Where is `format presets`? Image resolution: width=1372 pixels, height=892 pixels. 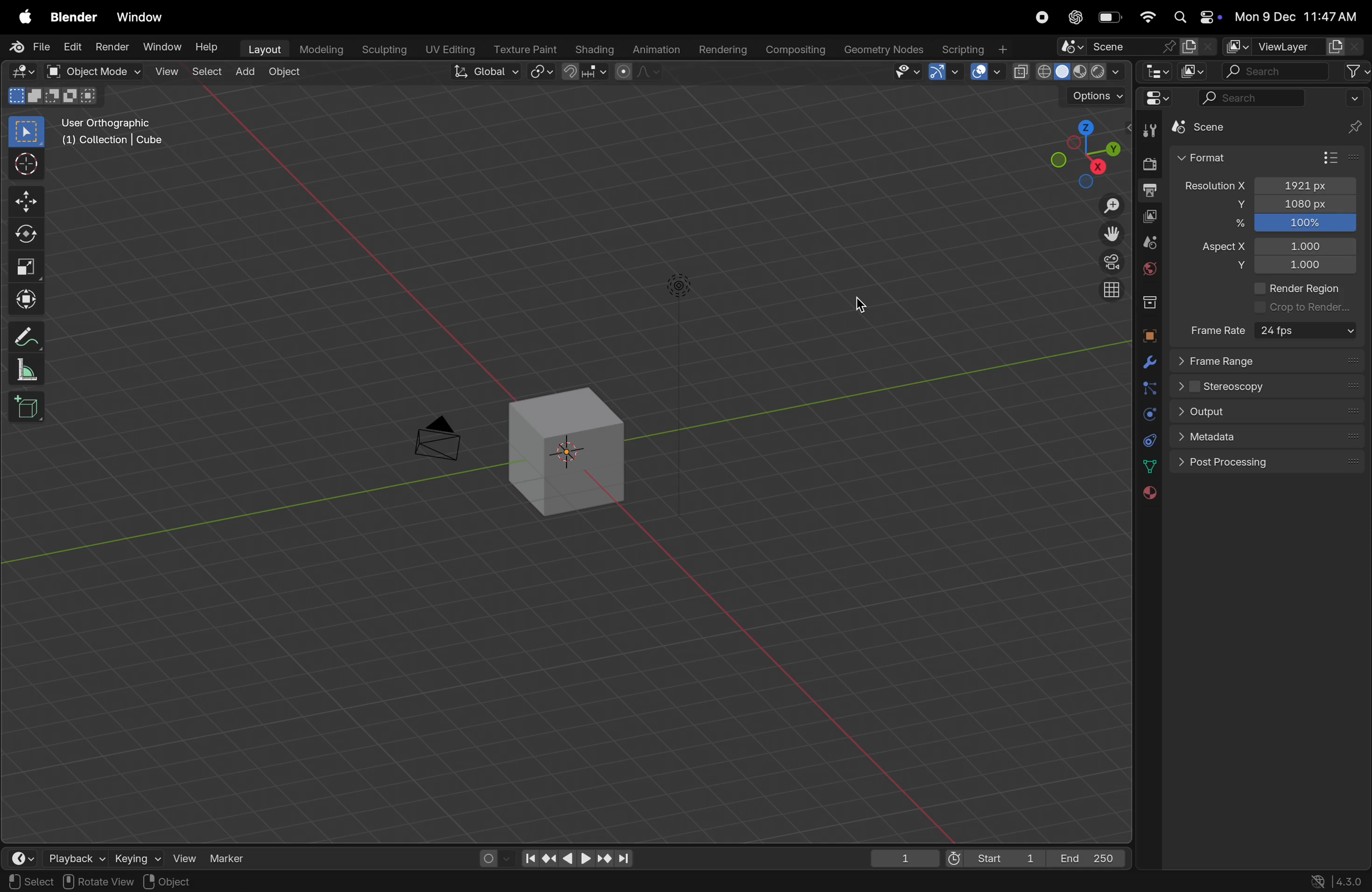
format presets is located at coordinates (1339, 157).